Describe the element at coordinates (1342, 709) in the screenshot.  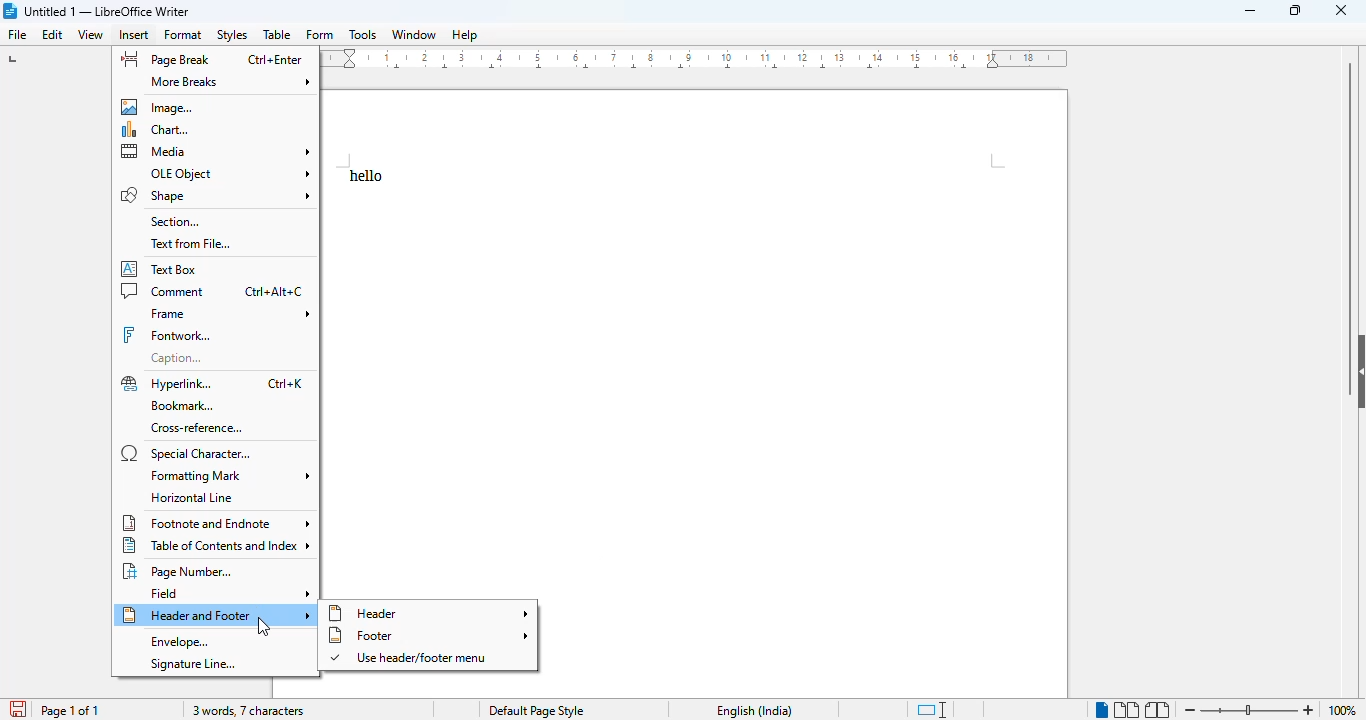
I see `100%` at that location.